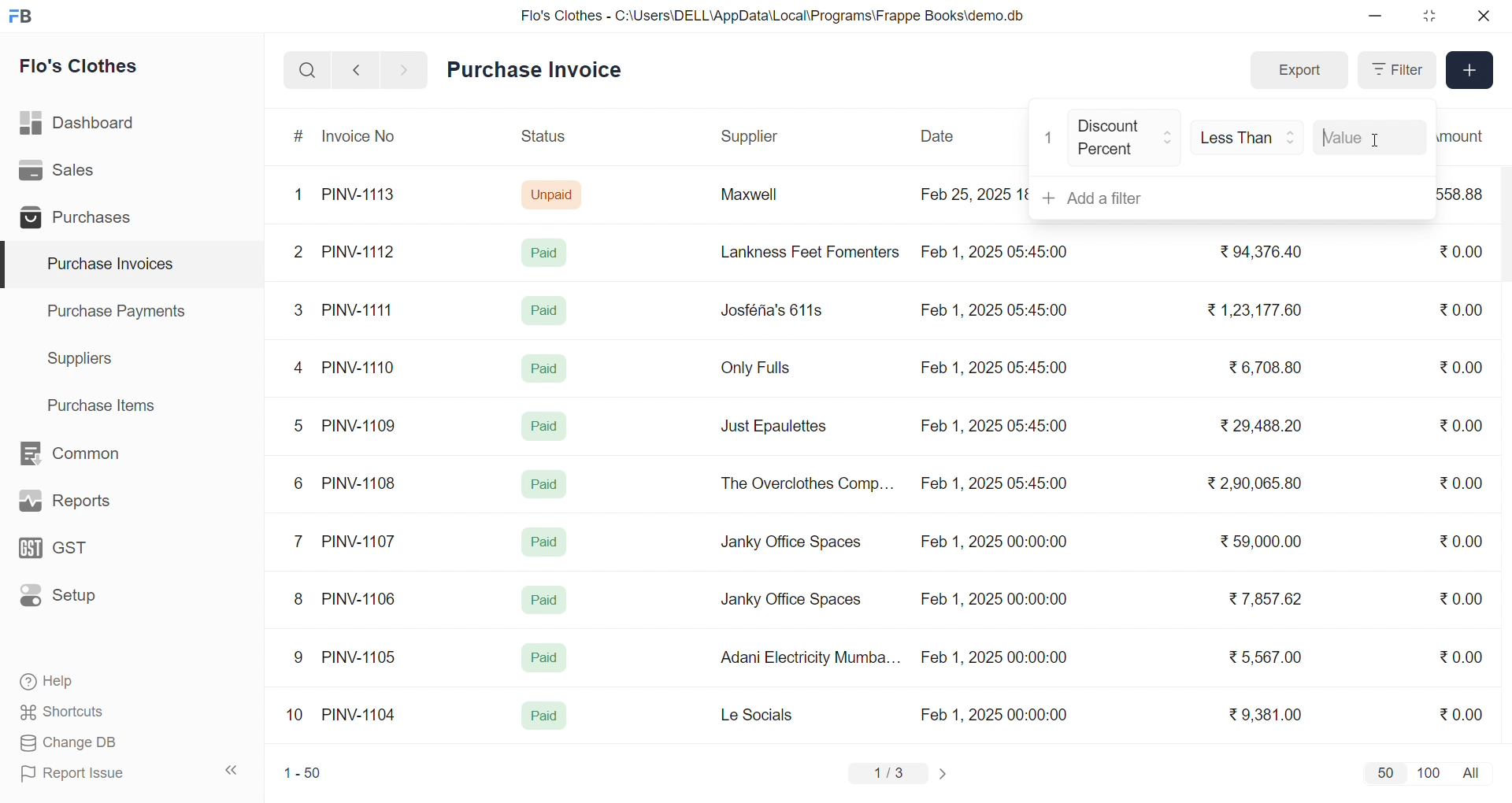 The height and width of the screenshot is (803, 1512). I want to click on 1-50, so click(302, 775).